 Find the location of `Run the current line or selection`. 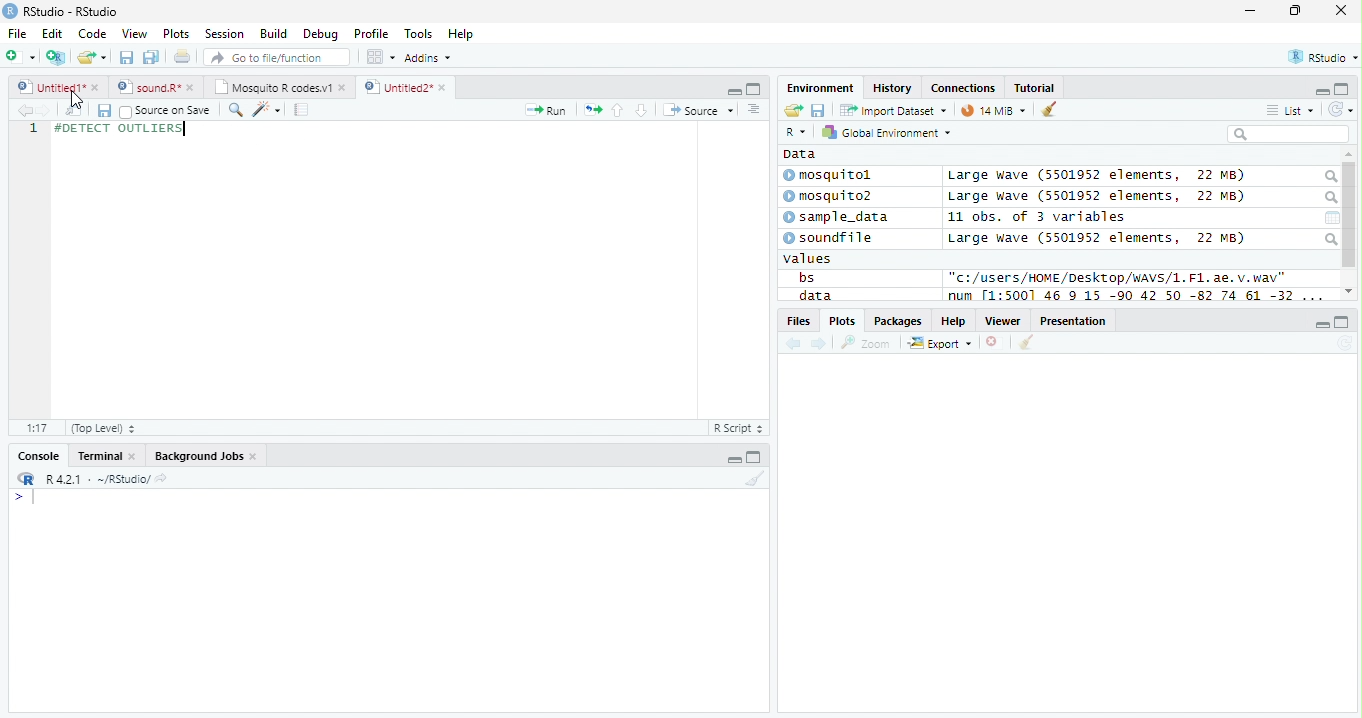

Run the current line or selection is located at coordinates (546, 111).